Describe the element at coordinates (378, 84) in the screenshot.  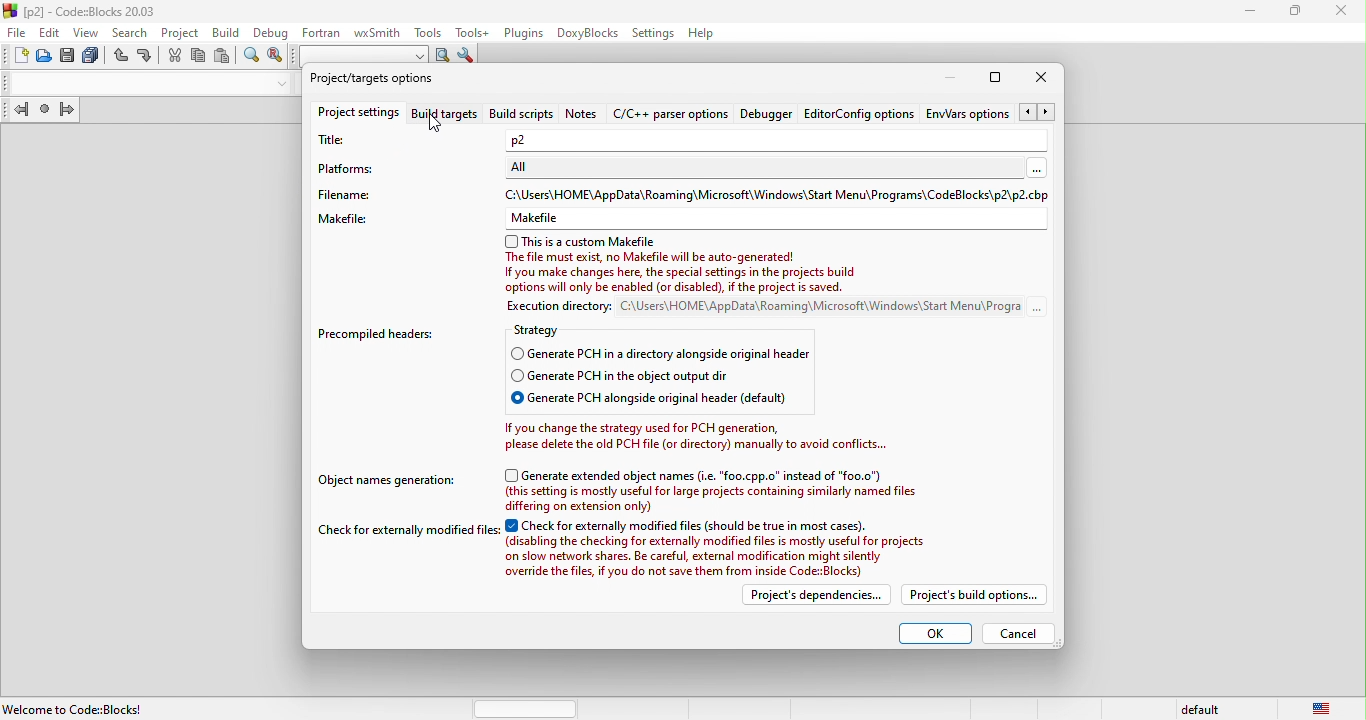
I see `project\target option` at that location.